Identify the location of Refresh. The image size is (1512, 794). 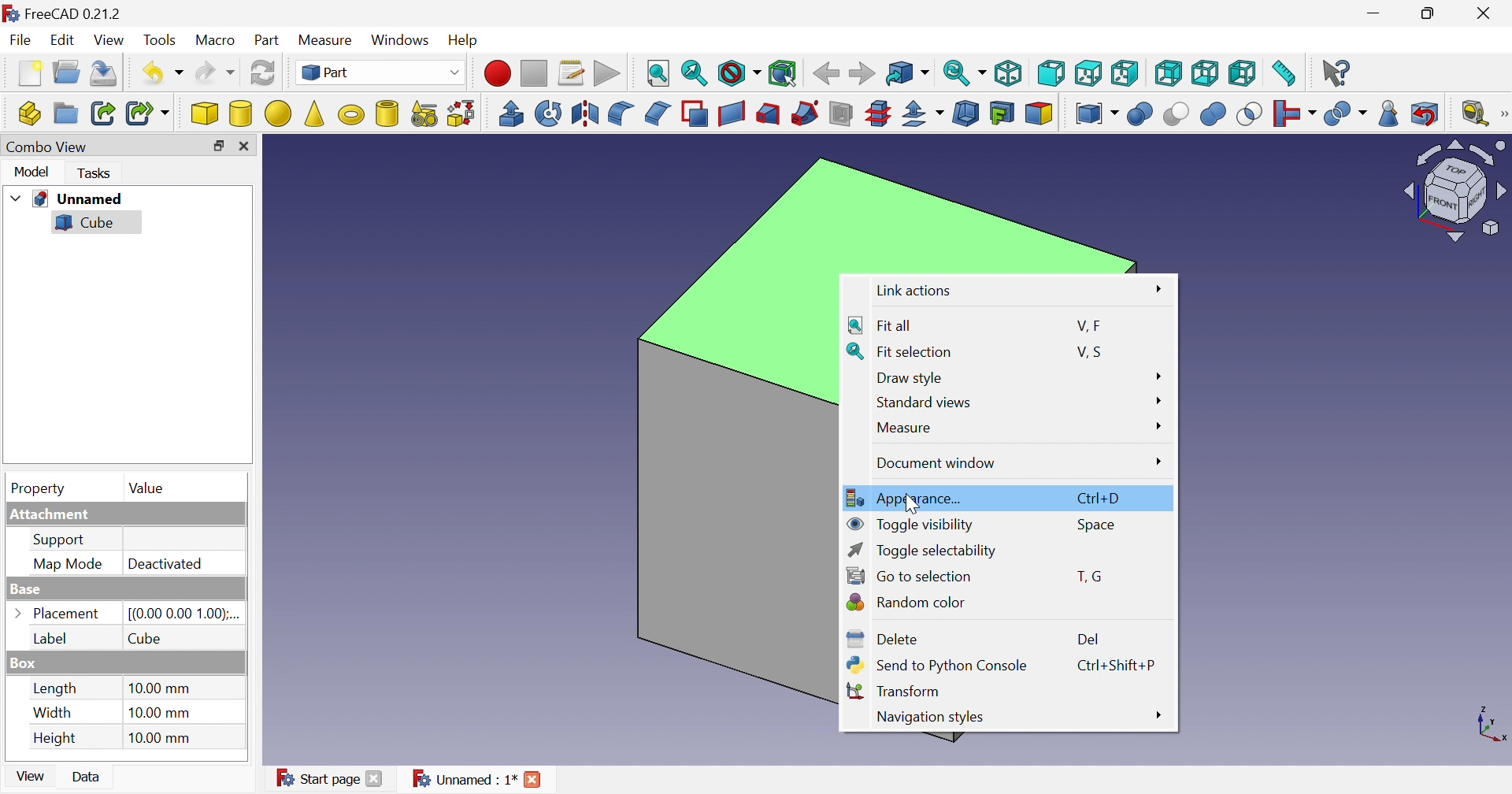
(263, 72).